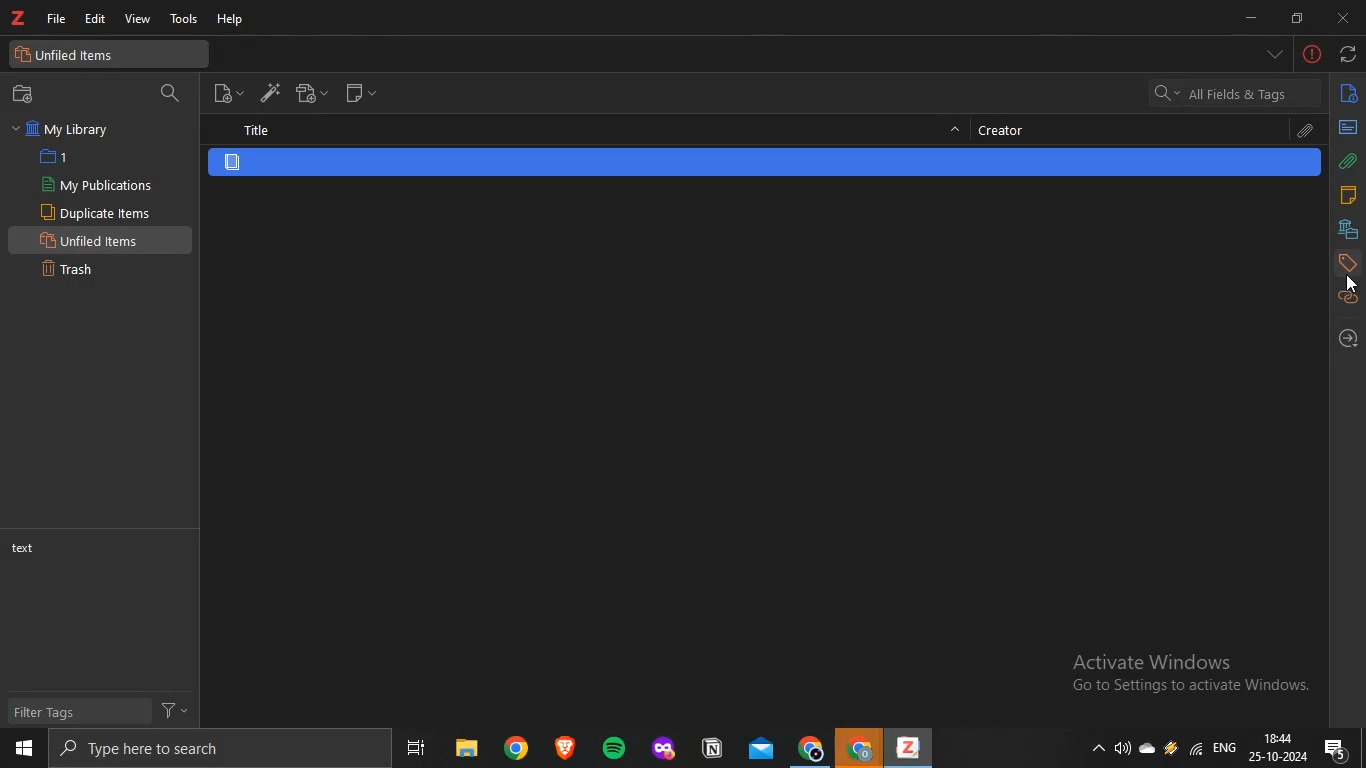  Describe the element at coordinates (614, 746) in the screenshot. I see `spotify` at that location.